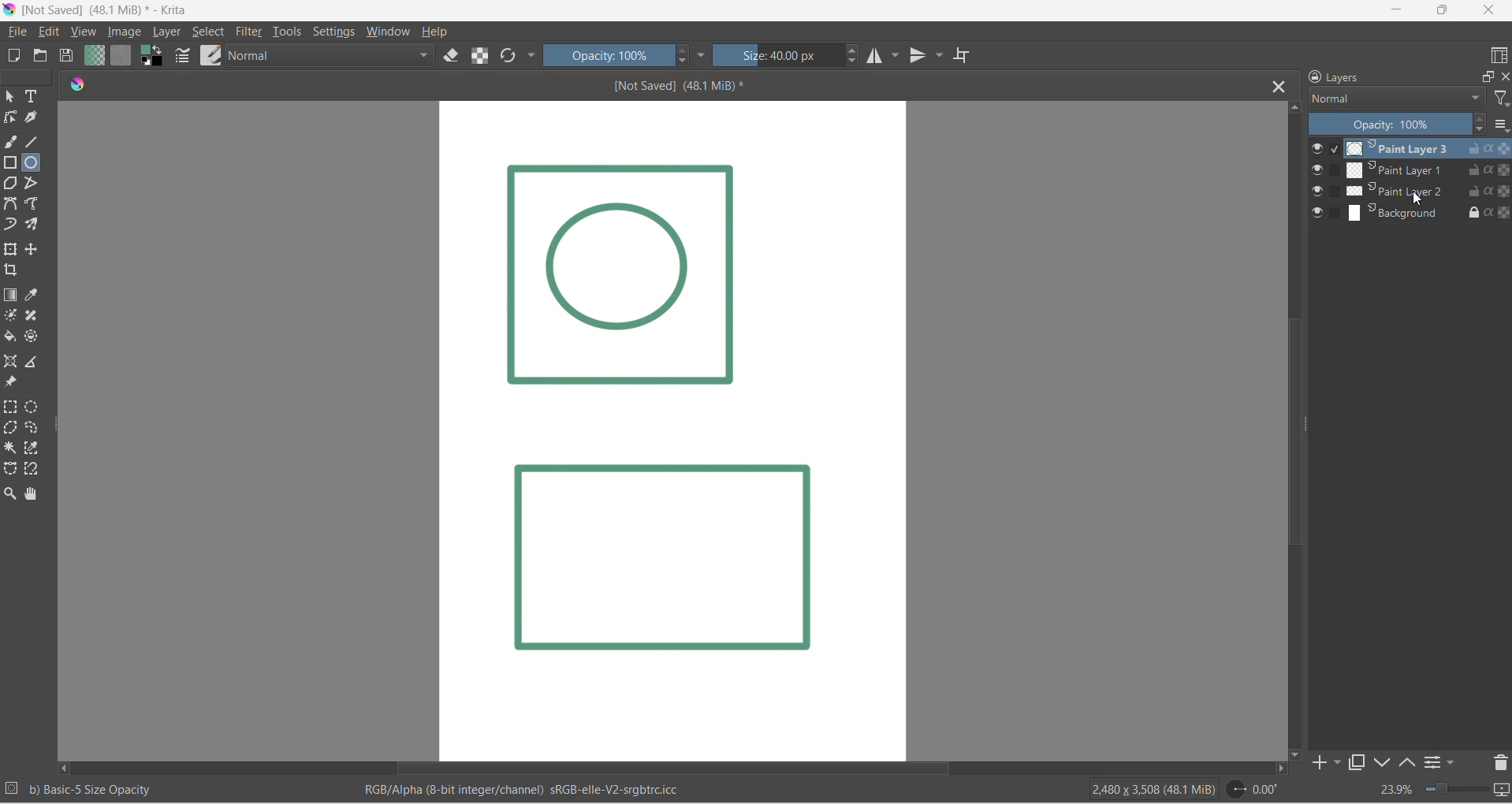 This screenshot has width=1512, height=804. Describe the element at coordinates (37, 315) in the screenshot. I see `patch tool` at that location.